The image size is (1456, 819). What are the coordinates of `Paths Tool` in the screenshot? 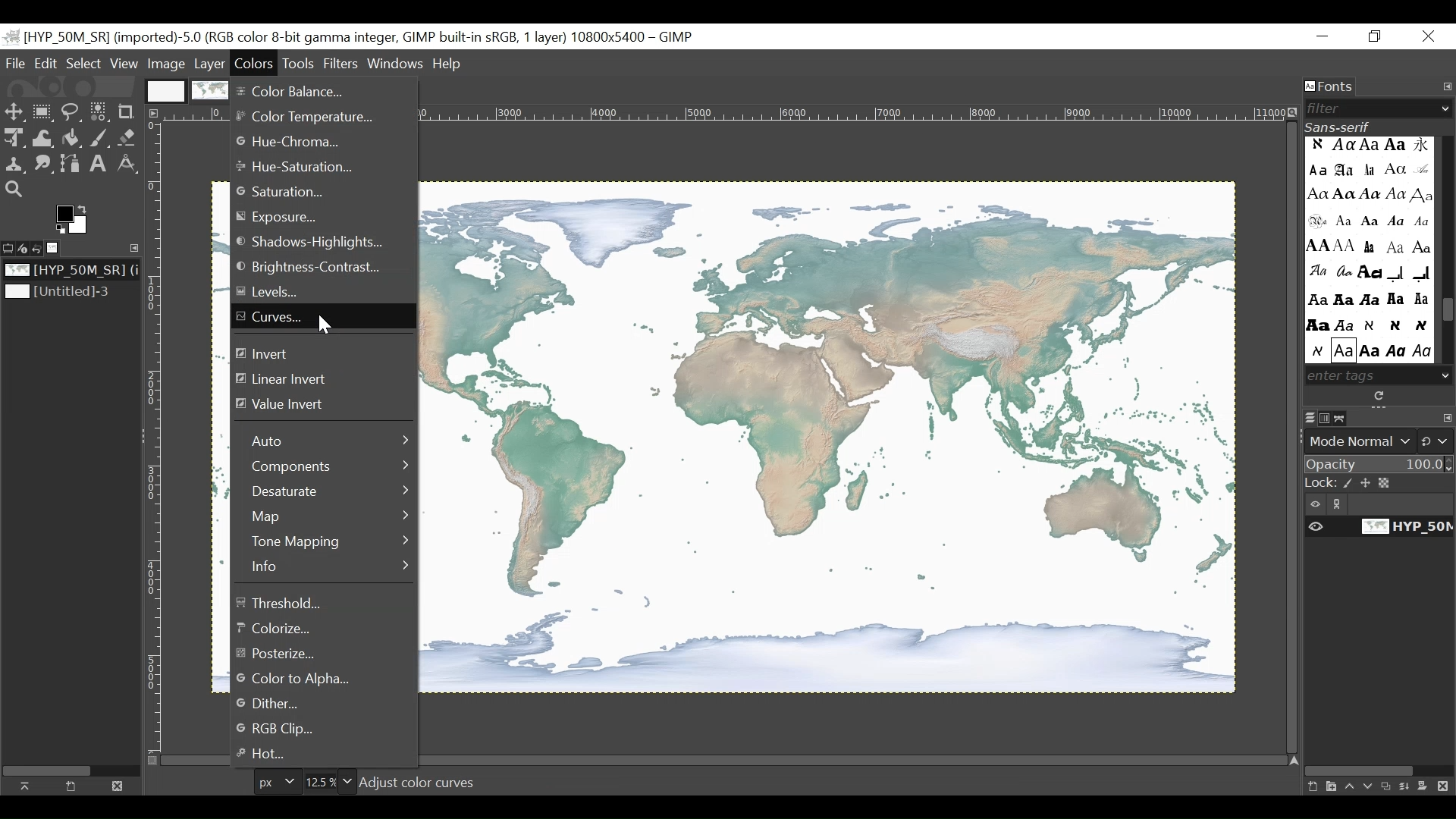 It's located at (71, 165).